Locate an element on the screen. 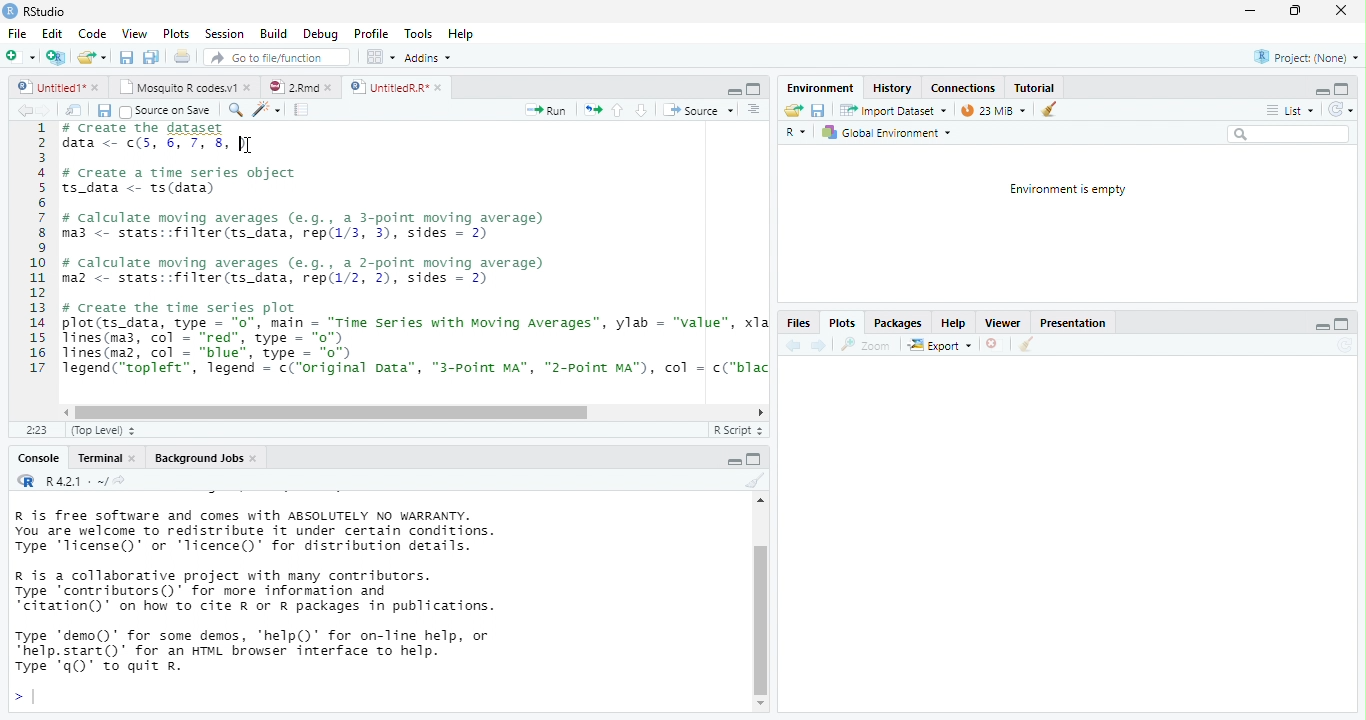 This screenshot has height=720, width=1366. minimize is located at coordinates (1319, 93).